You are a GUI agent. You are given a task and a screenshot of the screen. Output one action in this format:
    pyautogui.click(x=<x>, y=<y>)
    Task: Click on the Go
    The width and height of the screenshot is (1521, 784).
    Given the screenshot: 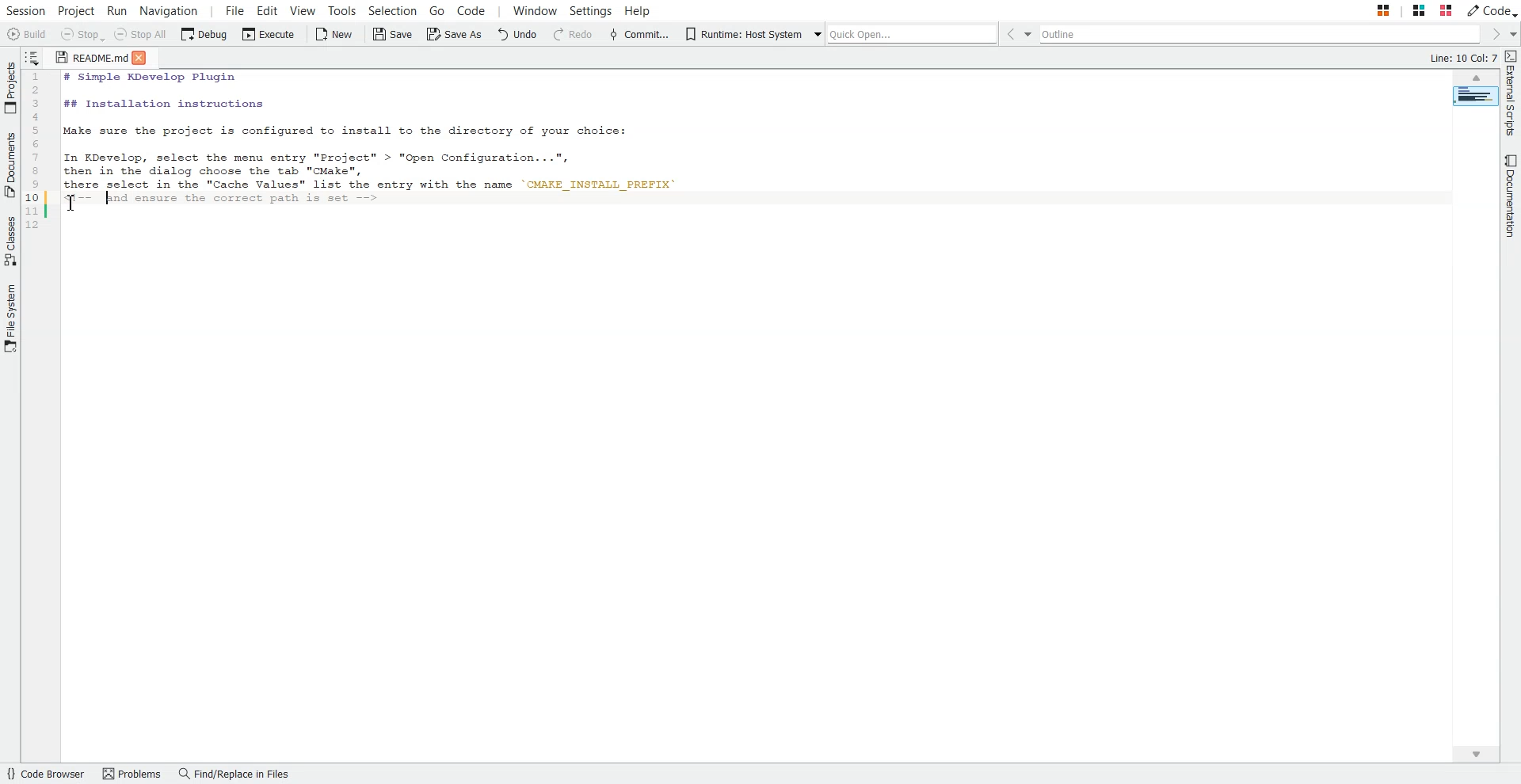 What is the action you would take?
    pyautogui.click(x=436, y=10)
    